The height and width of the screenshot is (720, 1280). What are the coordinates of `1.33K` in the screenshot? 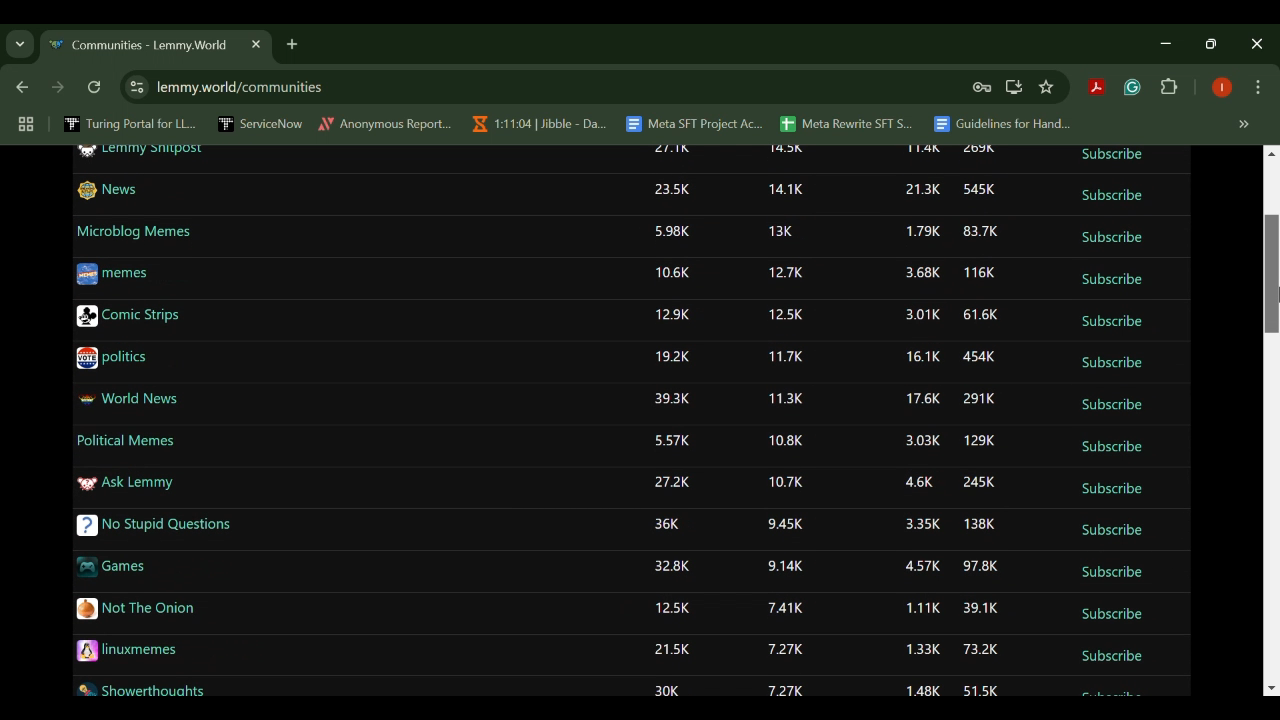 It's located at (923, 651).